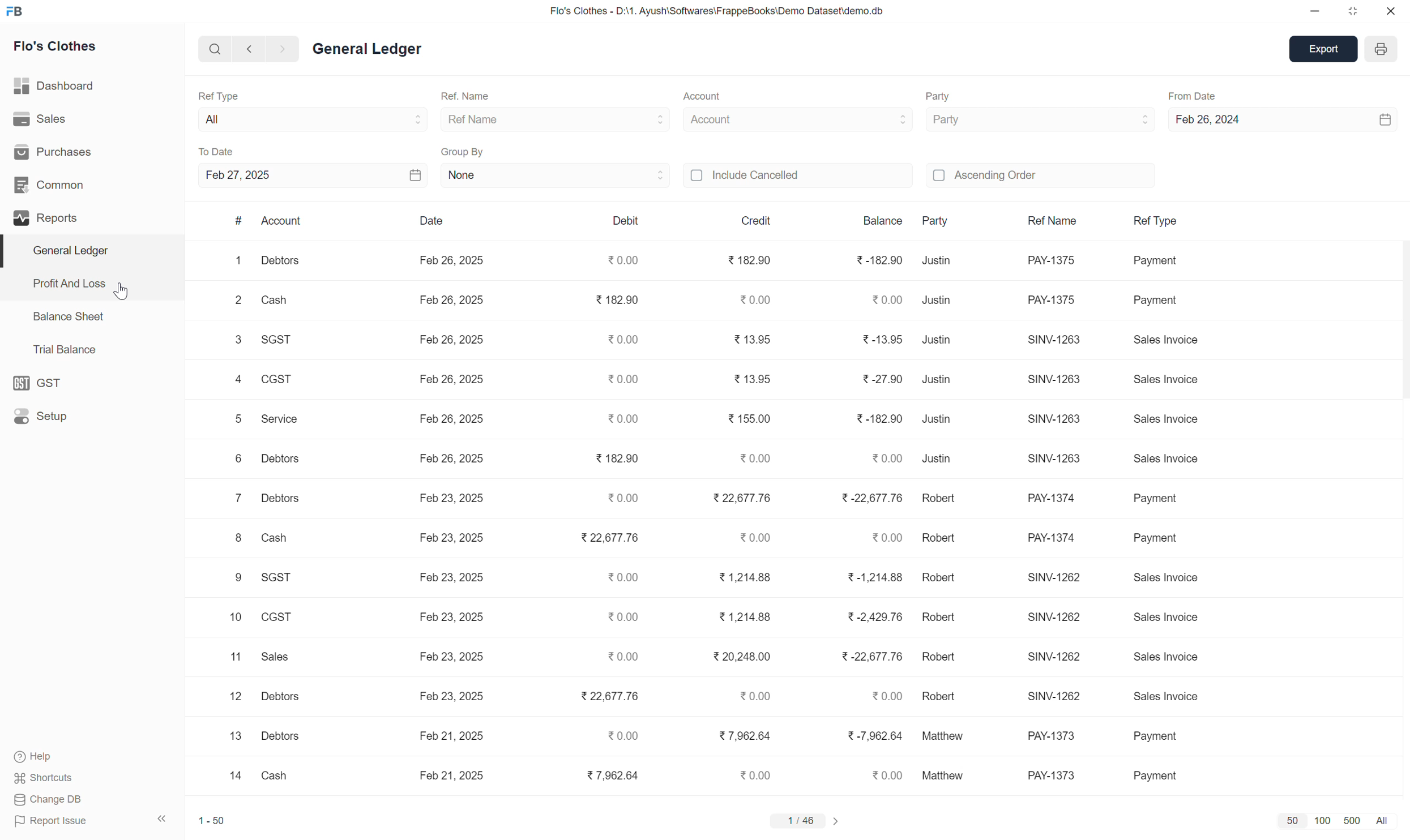  What do you see at coordinates (1057, 460) in the screenshot?
I see `SINV-1263` at bounding box center [1057, 460].